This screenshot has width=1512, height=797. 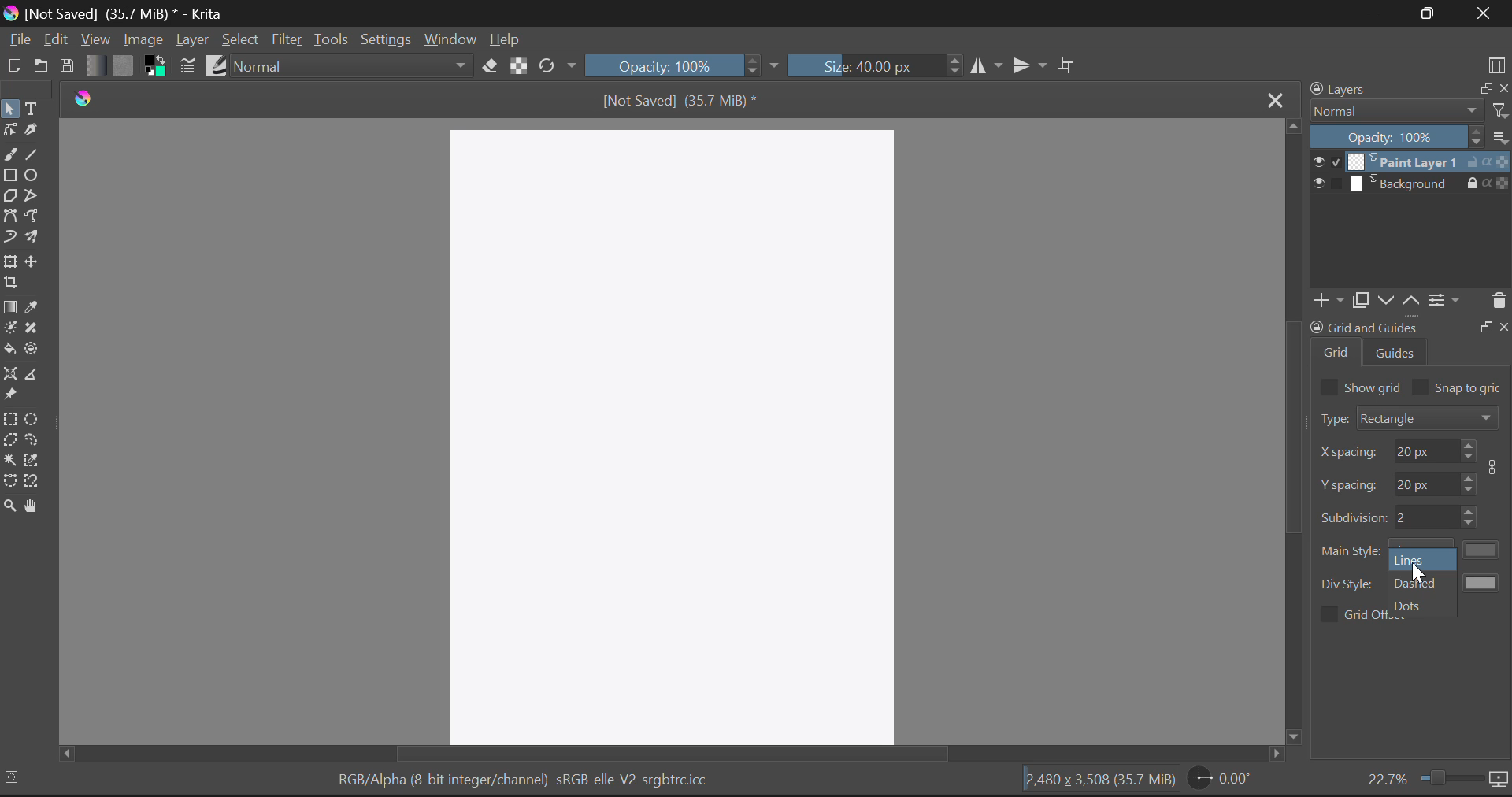 I want to click on type, so click(x=1332, y=418).